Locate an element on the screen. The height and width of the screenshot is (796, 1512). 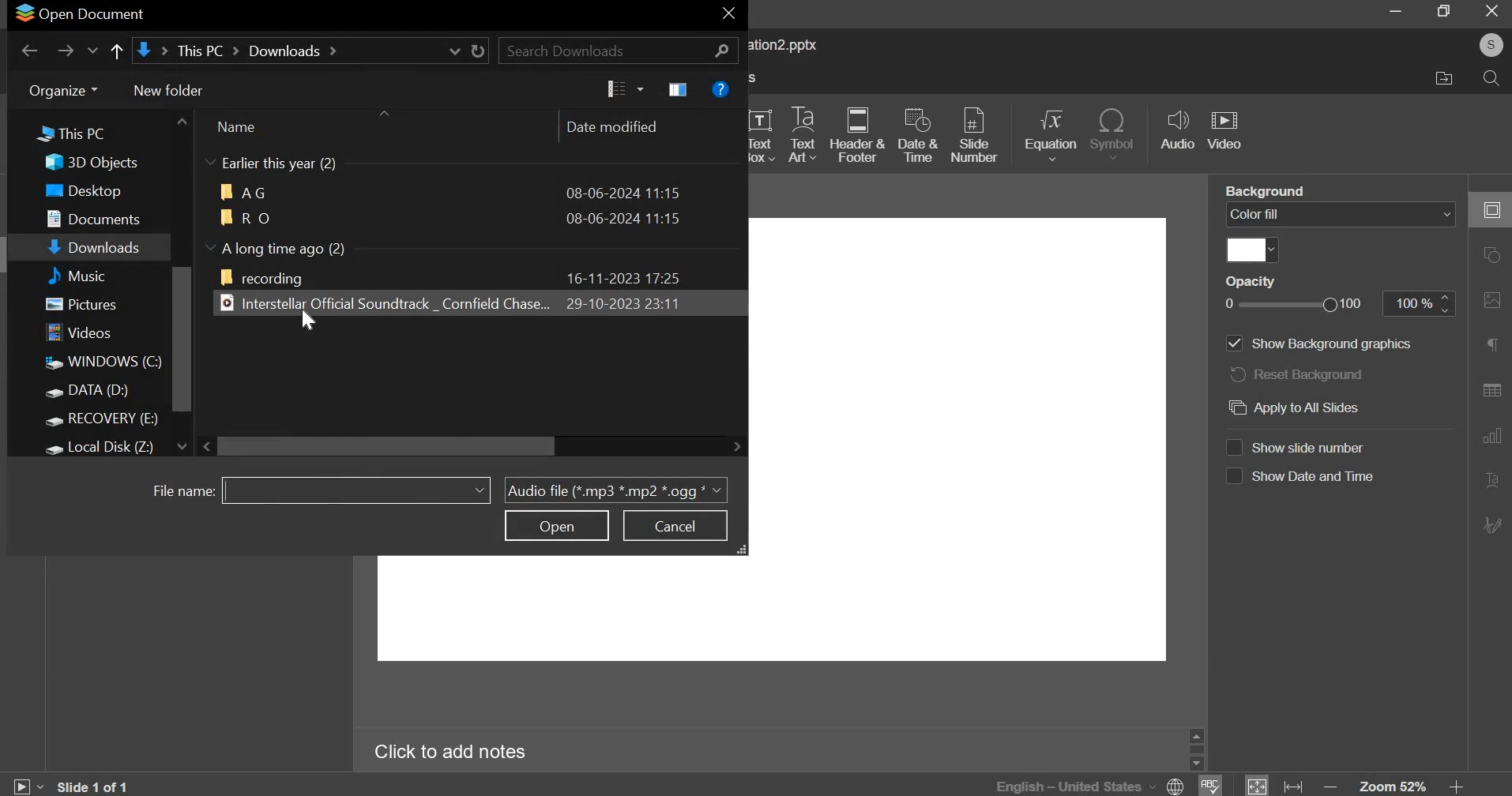
Downloads is located at coordinates (94, 246).